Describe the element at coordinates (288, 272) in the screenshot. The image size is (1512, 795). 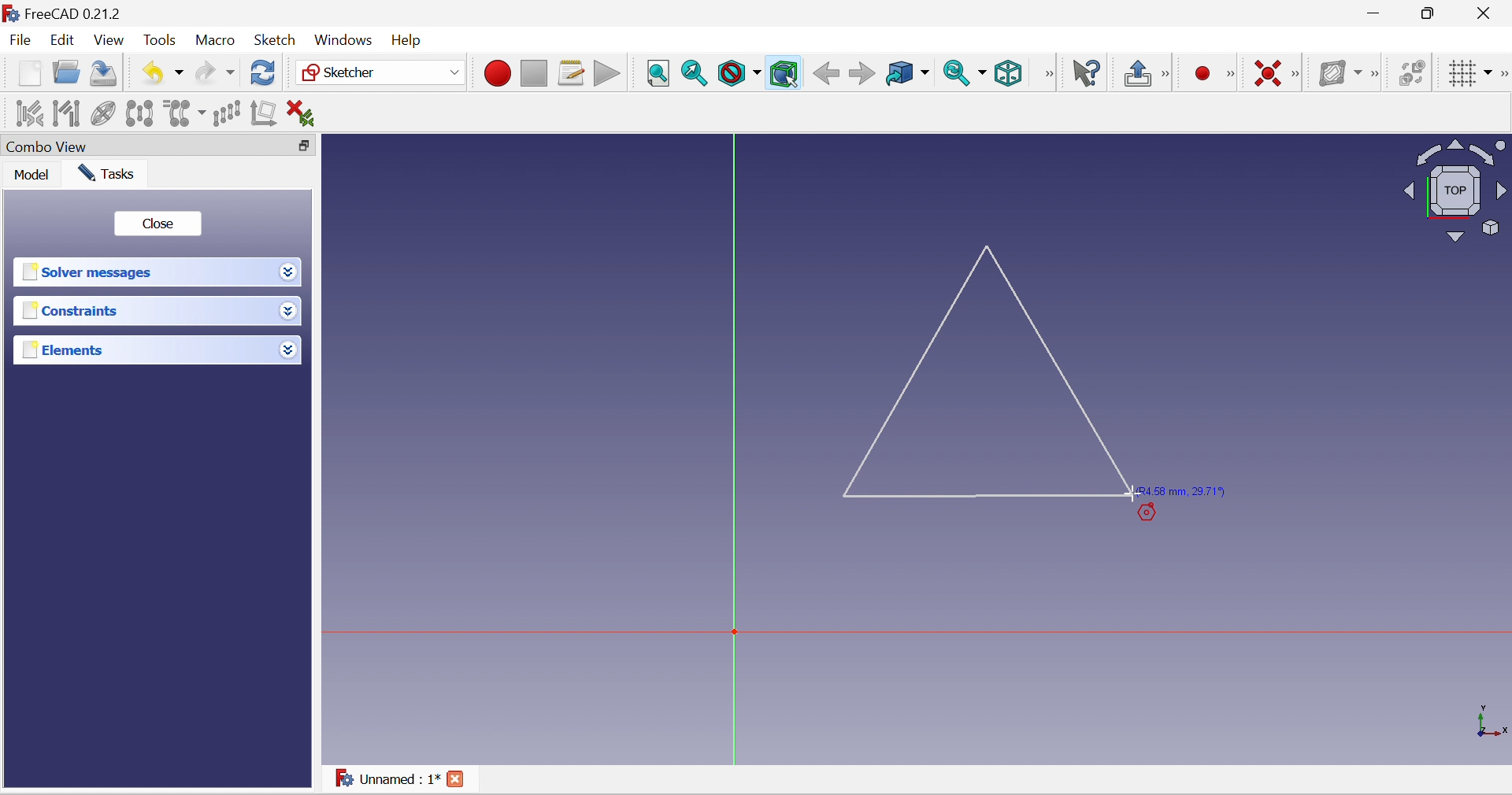
I see `Drop down` at that location.